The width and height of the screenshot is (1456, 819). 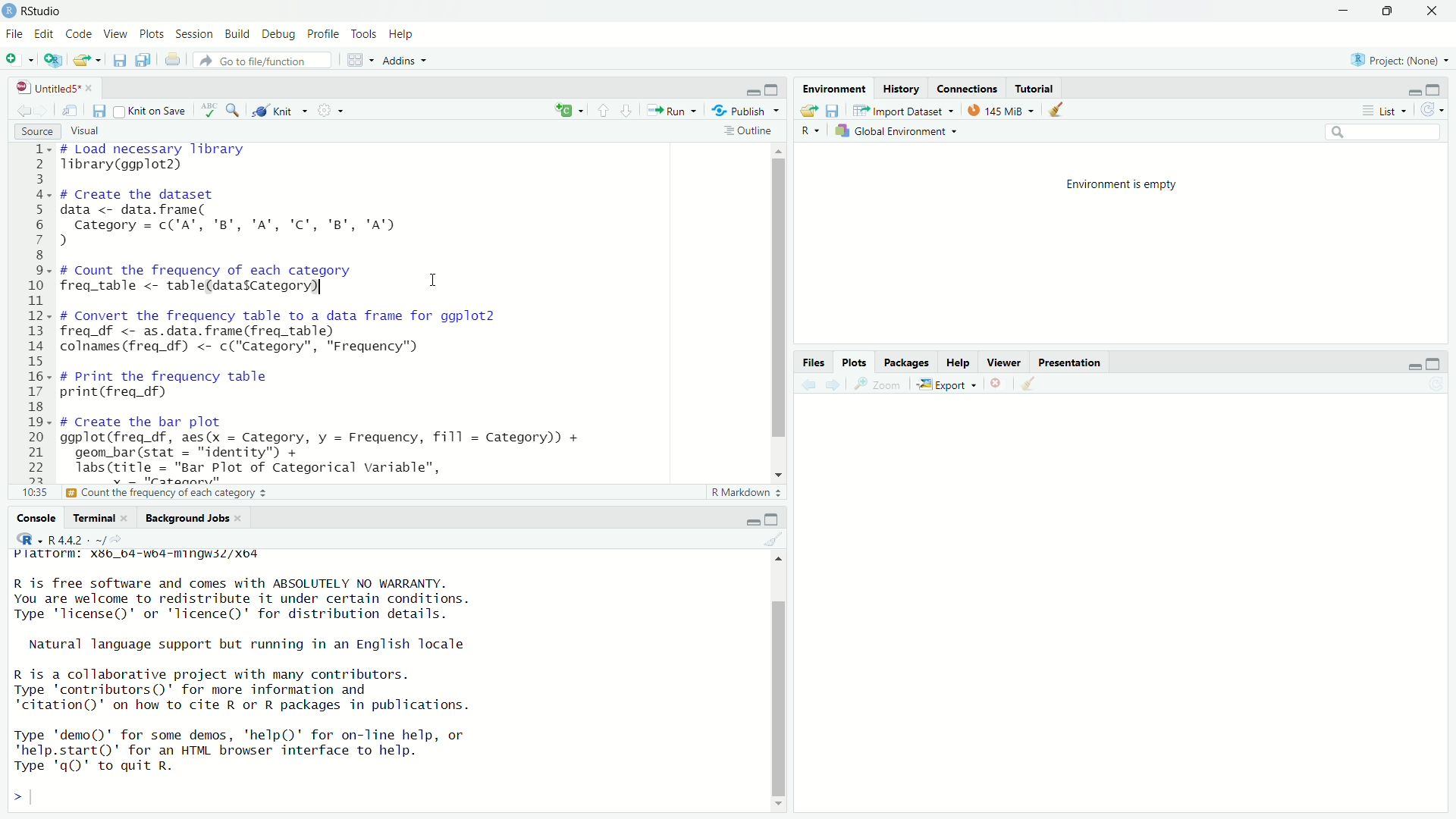 What do you see at coordinates (235, 35) in the screenshot?
I see `build` at bounding box center [235, 35].